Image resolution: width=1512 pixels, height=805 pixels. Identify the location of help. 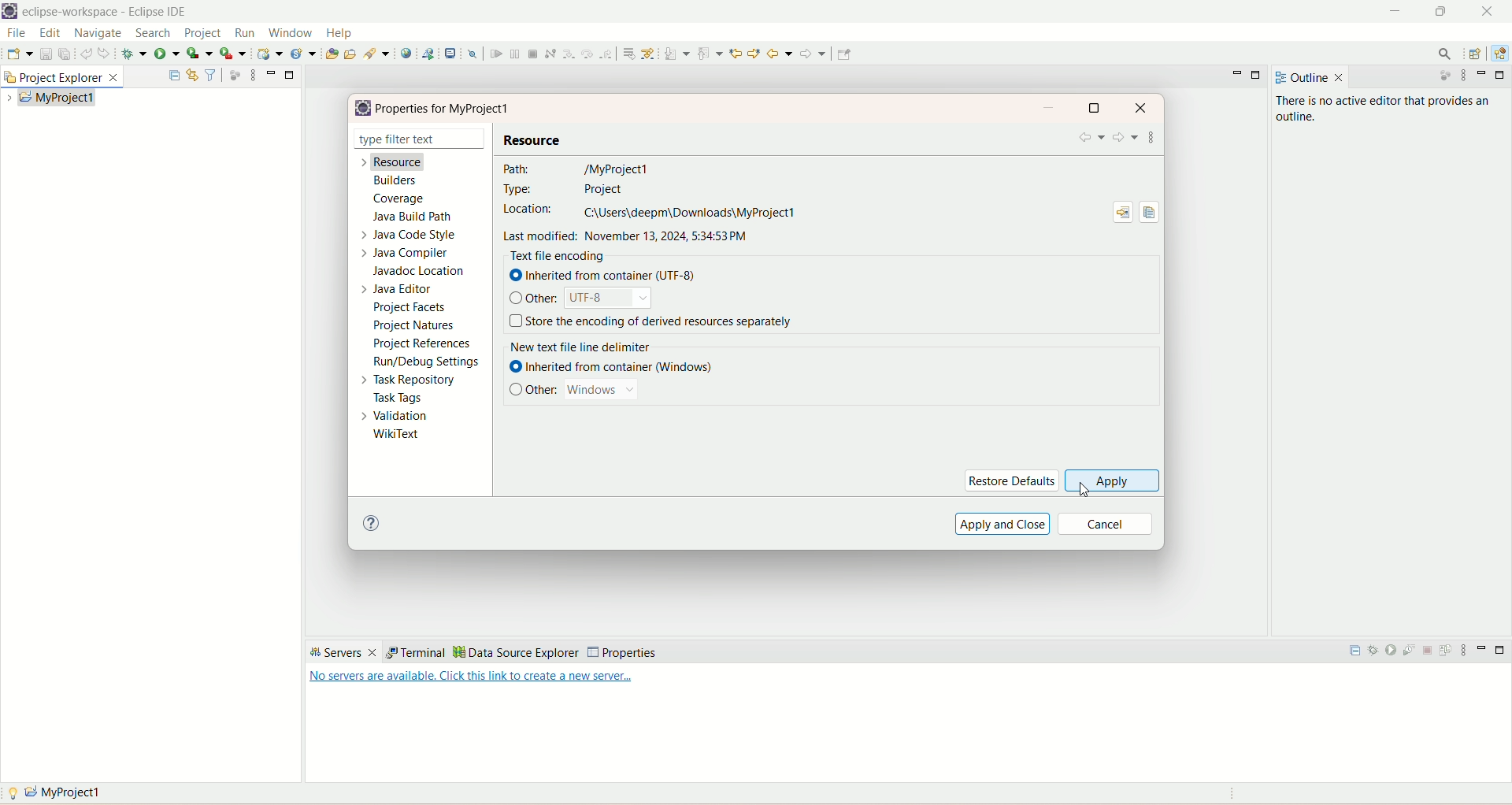
(369, 523).